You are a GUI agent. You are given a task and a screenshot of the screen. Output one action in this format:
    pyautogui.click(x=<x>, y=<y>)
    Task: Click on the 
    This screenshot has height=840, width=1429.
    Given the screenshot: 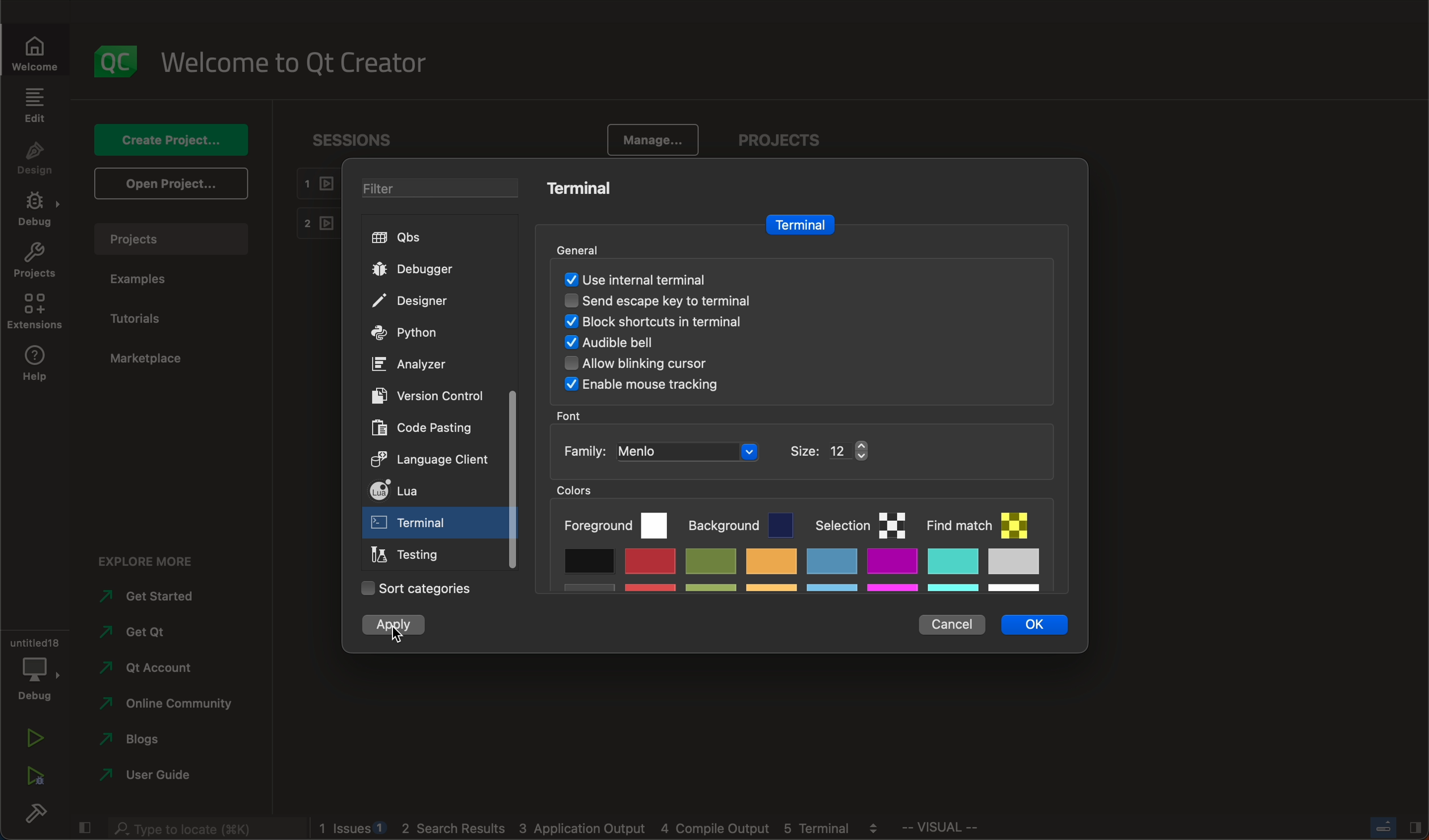 What is the action you would take?
    pyautogui.click(x=645, y=386)
    